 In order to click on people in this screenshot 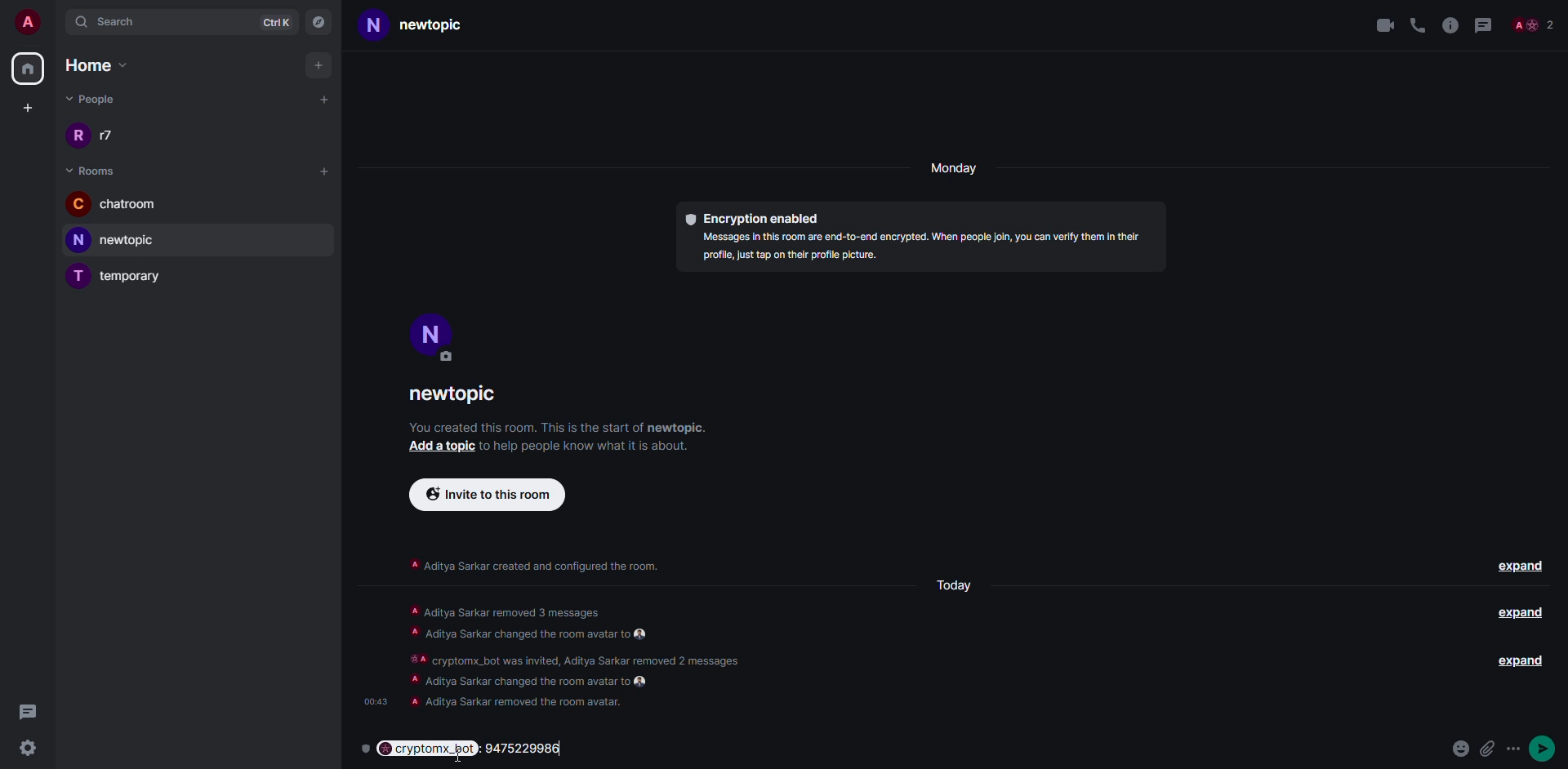, I will do `click(94, 99)`.